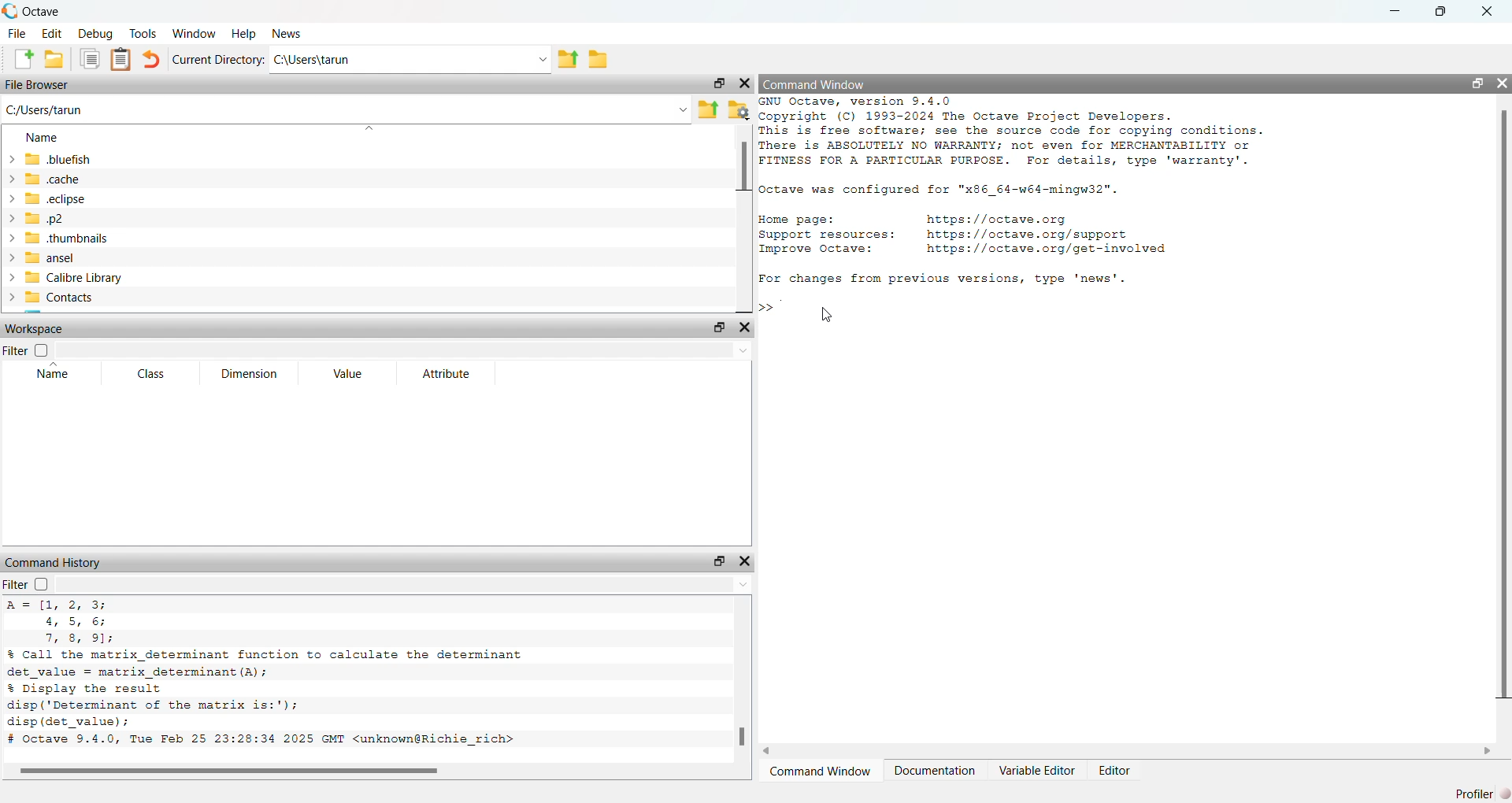 This screenshot has height=803, width=1512. I want to click on copy, so click(91, 60).